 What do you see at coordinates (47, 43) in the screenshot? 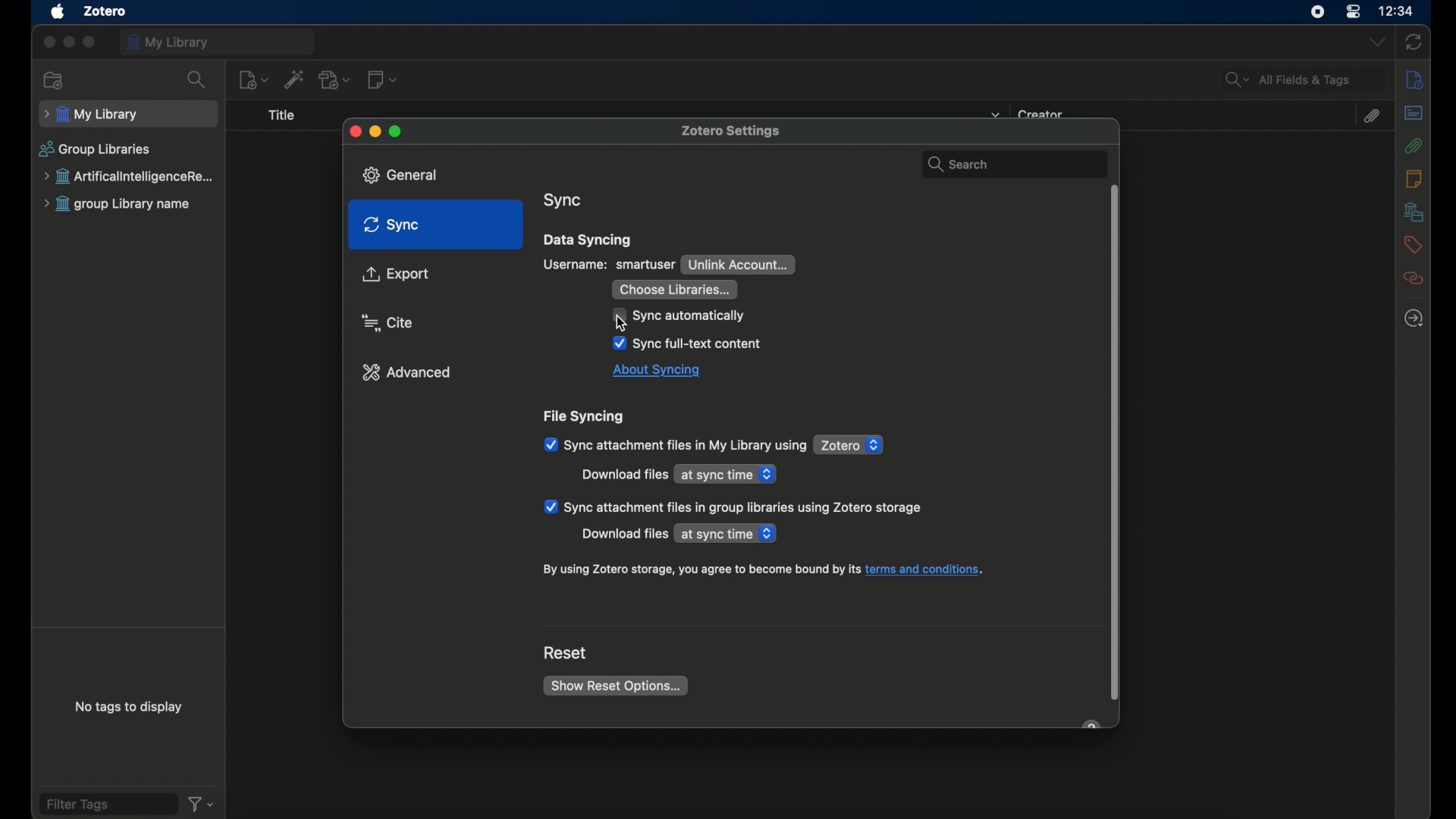
I see `close` at bounding box center [47, 43].